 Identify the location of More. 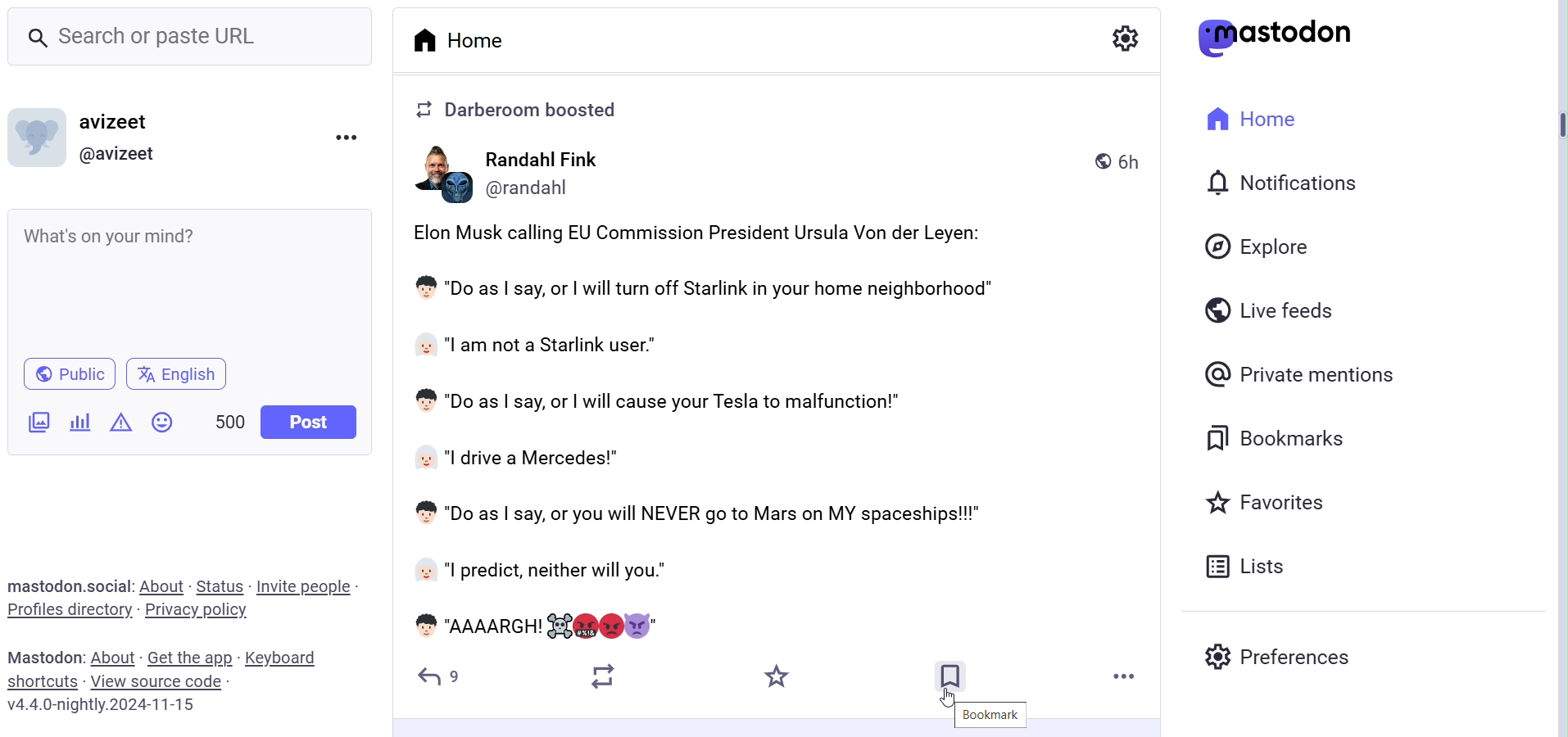
(1125, 679).